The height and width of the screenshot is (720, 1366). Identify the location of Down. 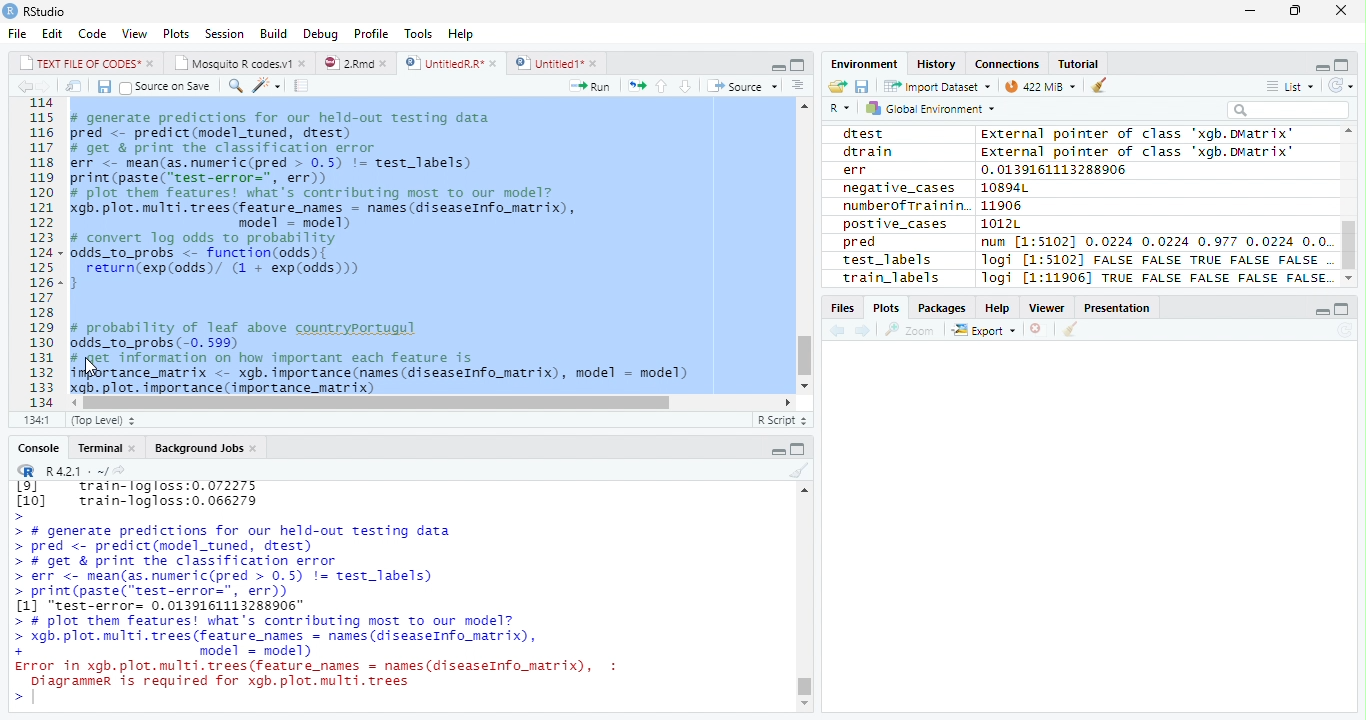
(685, 85).